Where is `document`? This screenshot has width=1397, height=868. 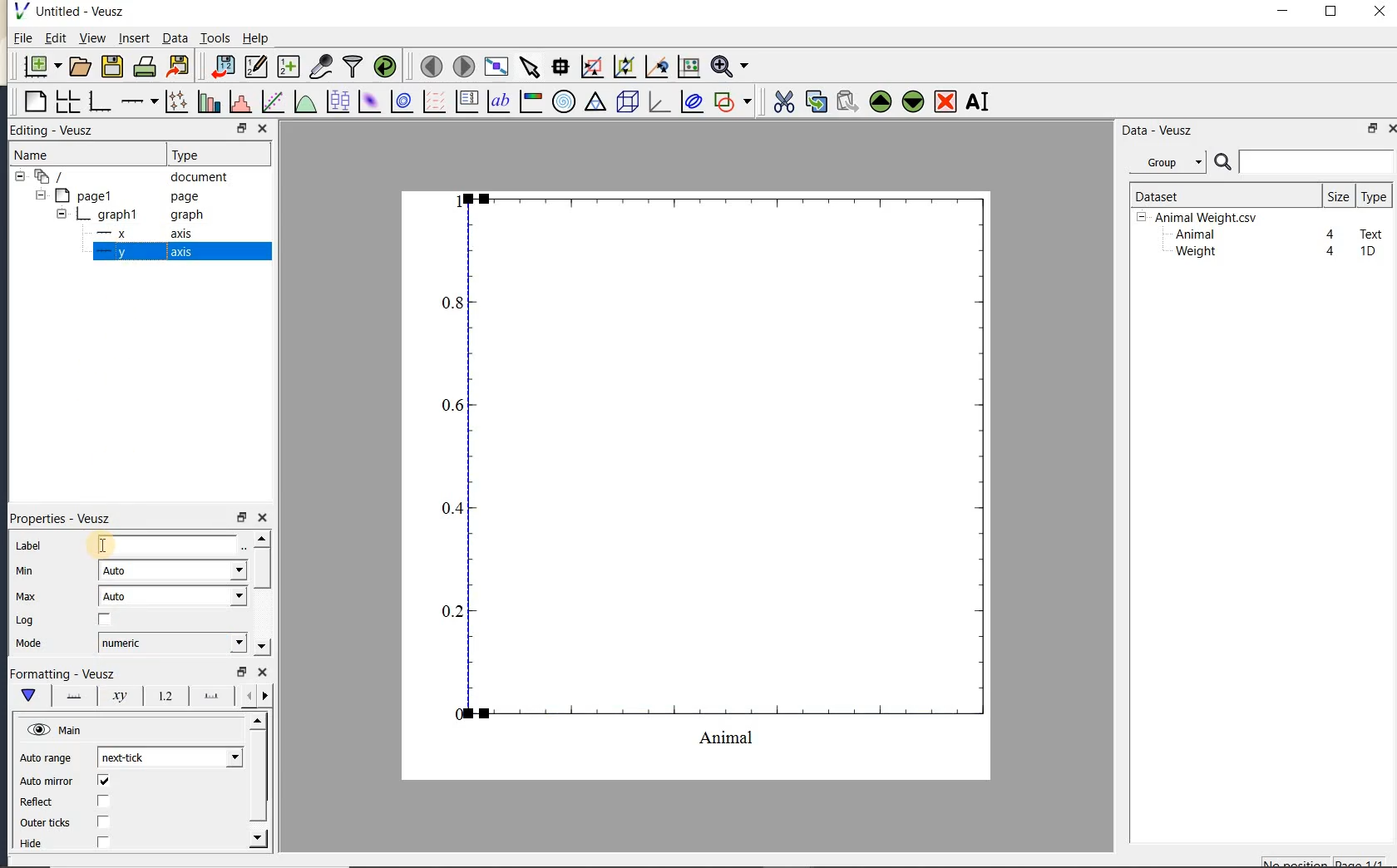
document is located at coordinates (126, 177).